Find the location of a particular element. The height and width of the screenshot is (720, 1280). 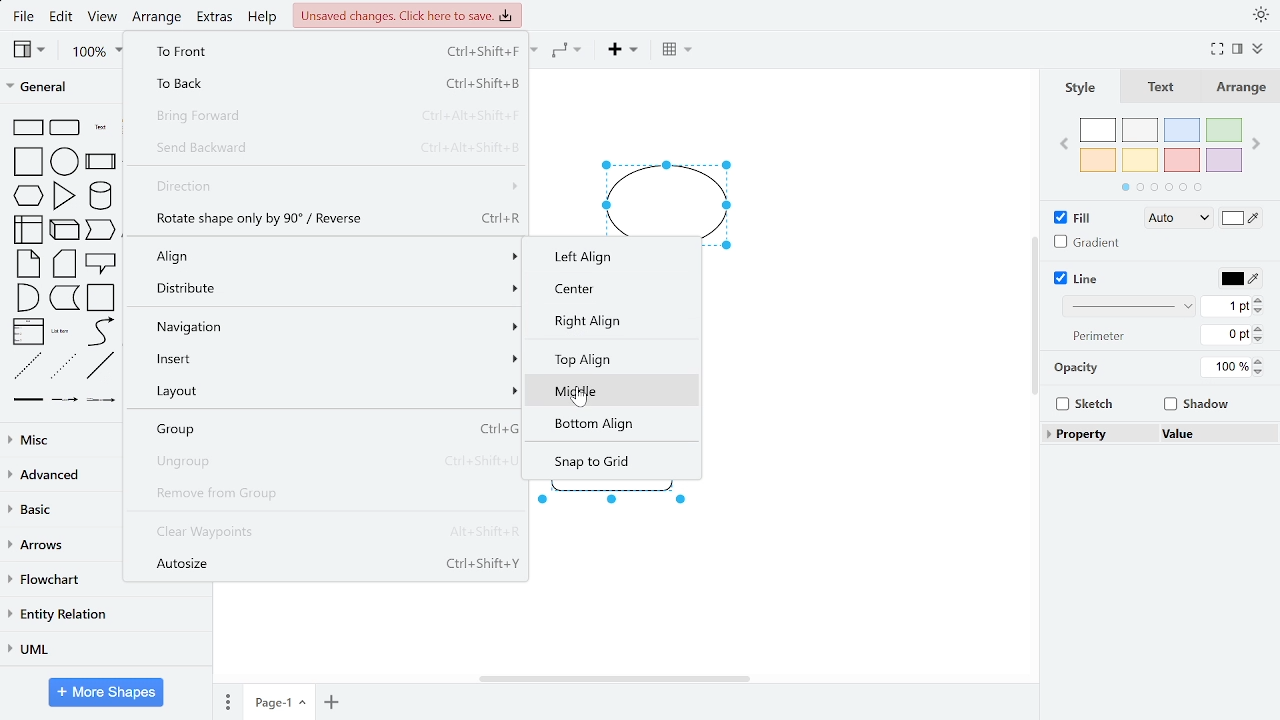

triangle is located at coordinates (64, 196).